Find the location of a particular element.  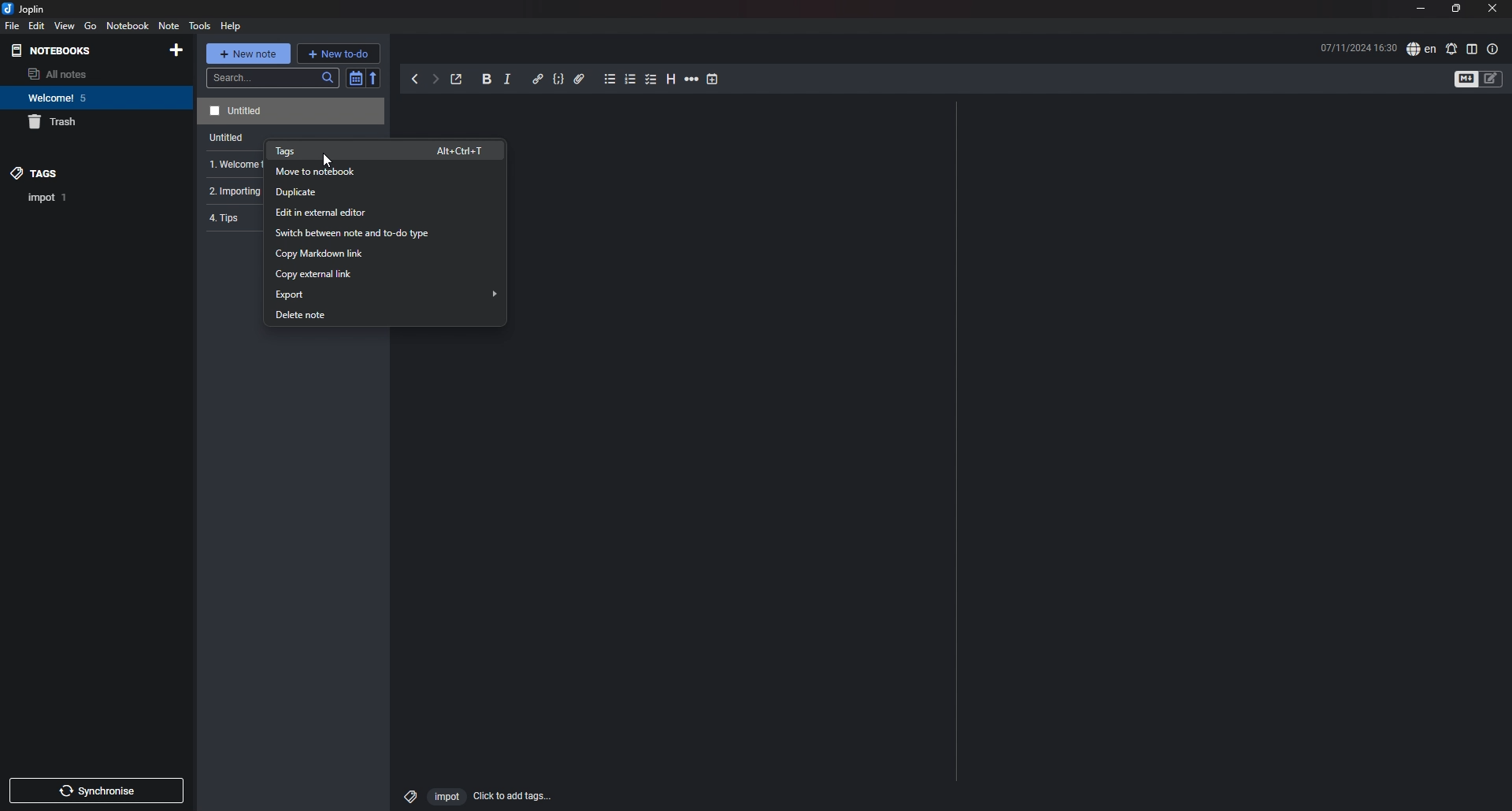

note is located at coordinates (169, 25).